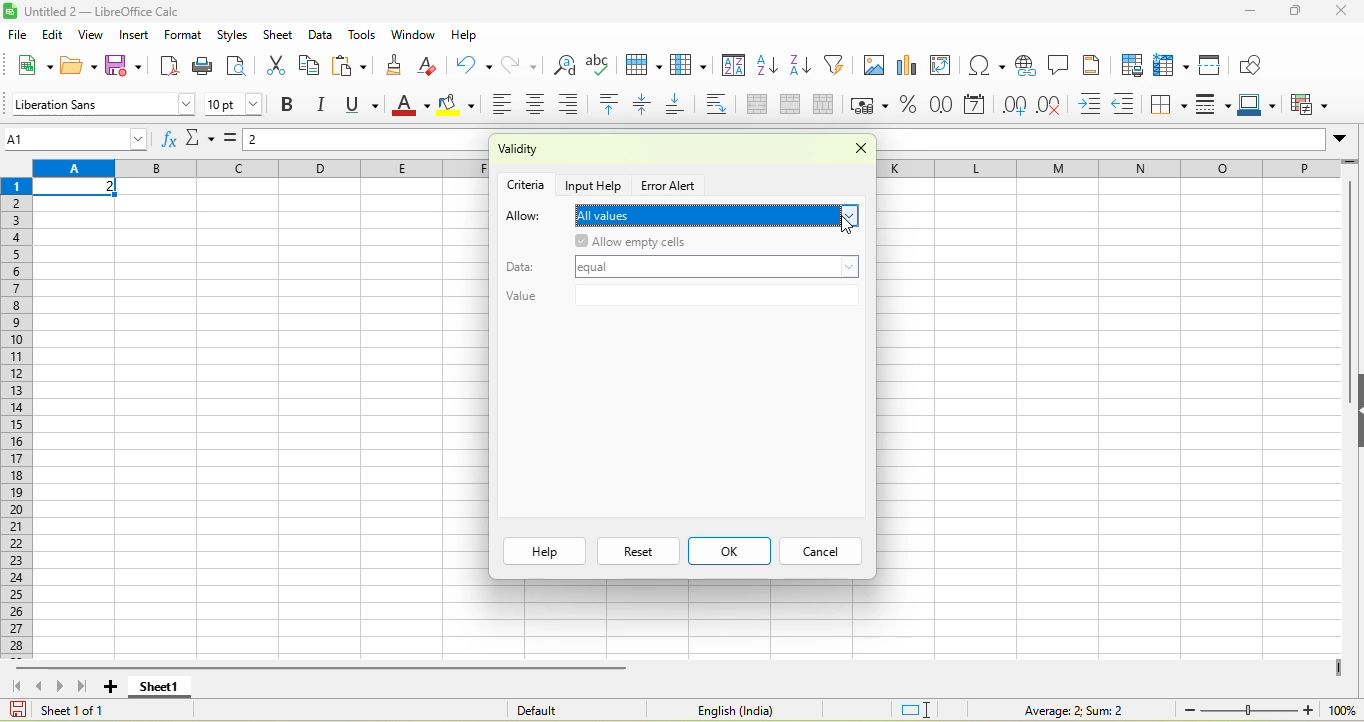  I want to click on sort descending, so click(803, 67).